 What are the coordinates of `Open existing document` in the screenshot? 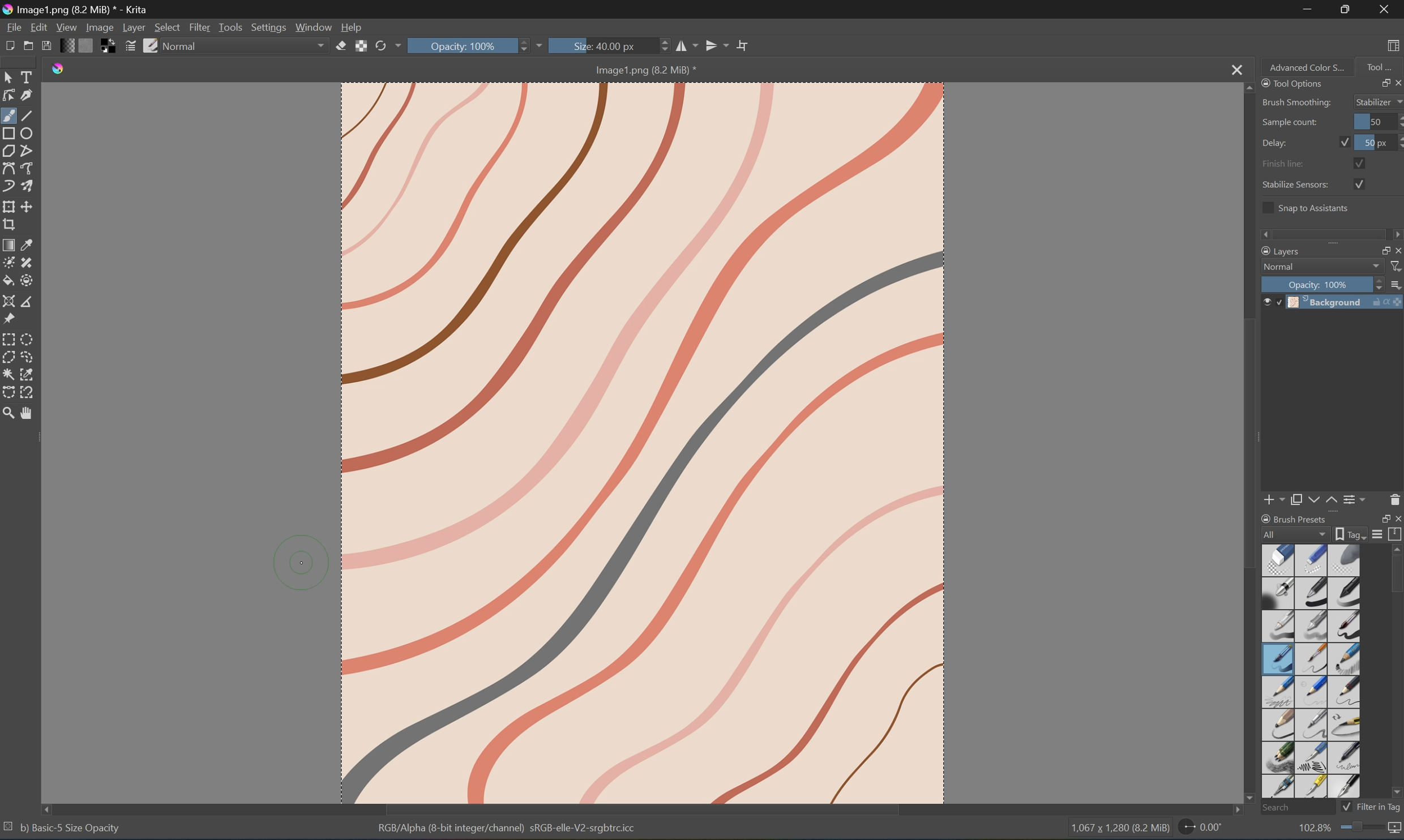 It's located at (28, 47).